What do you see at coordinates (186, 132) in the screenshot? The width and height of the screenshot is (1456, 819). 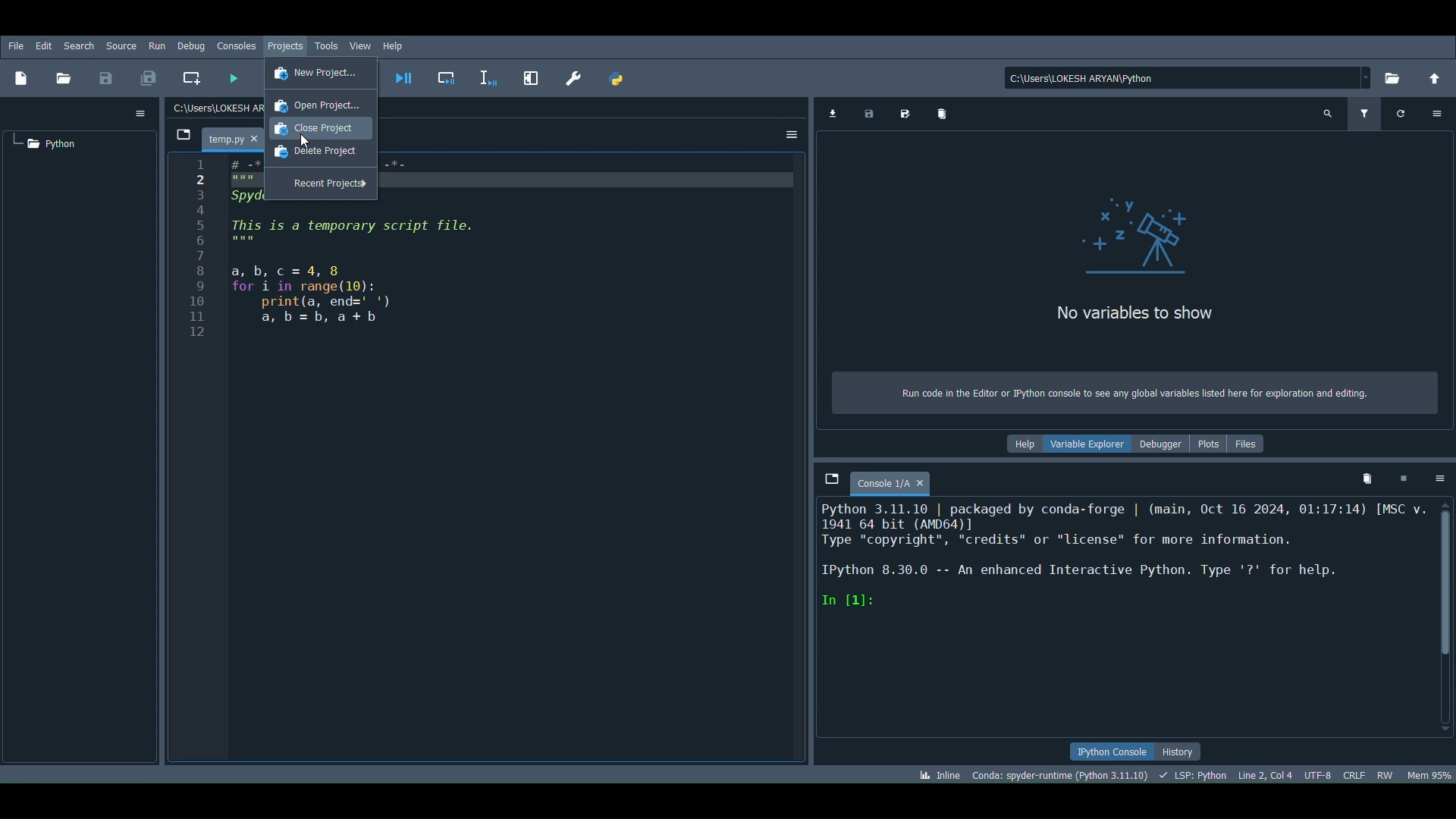 I see `Browse tabs` at bounding box center [186, 132].